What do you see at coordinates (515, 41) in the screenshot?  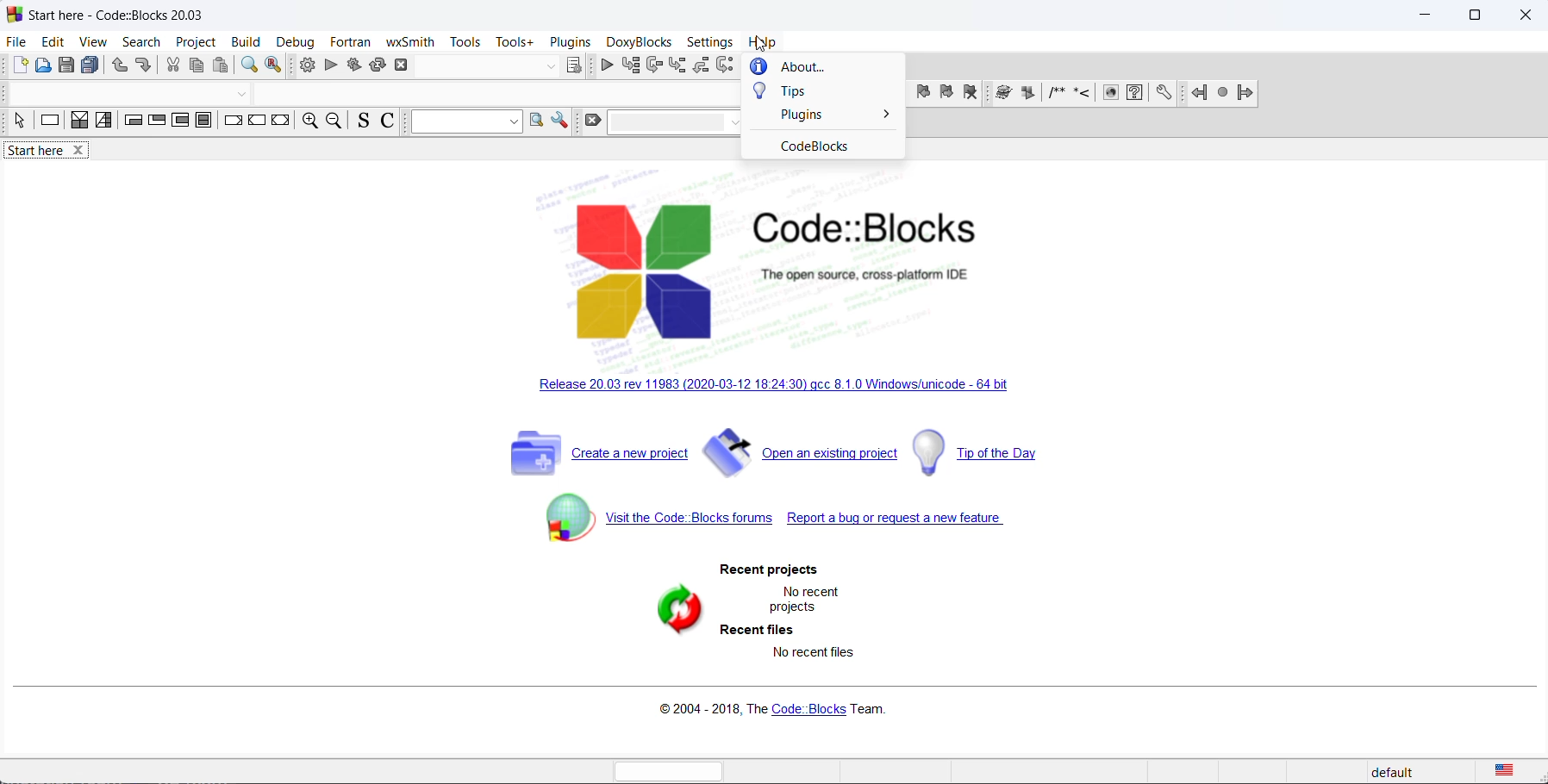 I see `tools+` at bounding box center [515, 41].